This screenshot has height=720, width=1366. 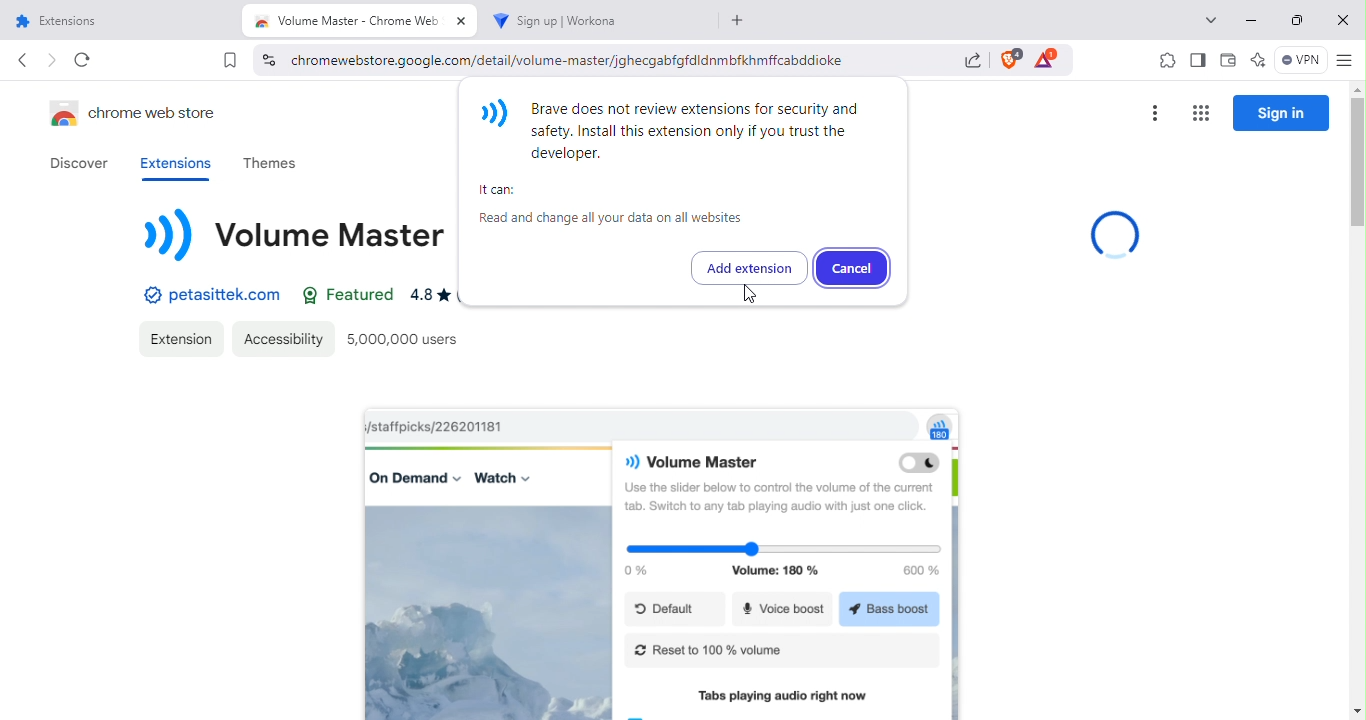 I want to click on Information, so click(x=691, y=163).